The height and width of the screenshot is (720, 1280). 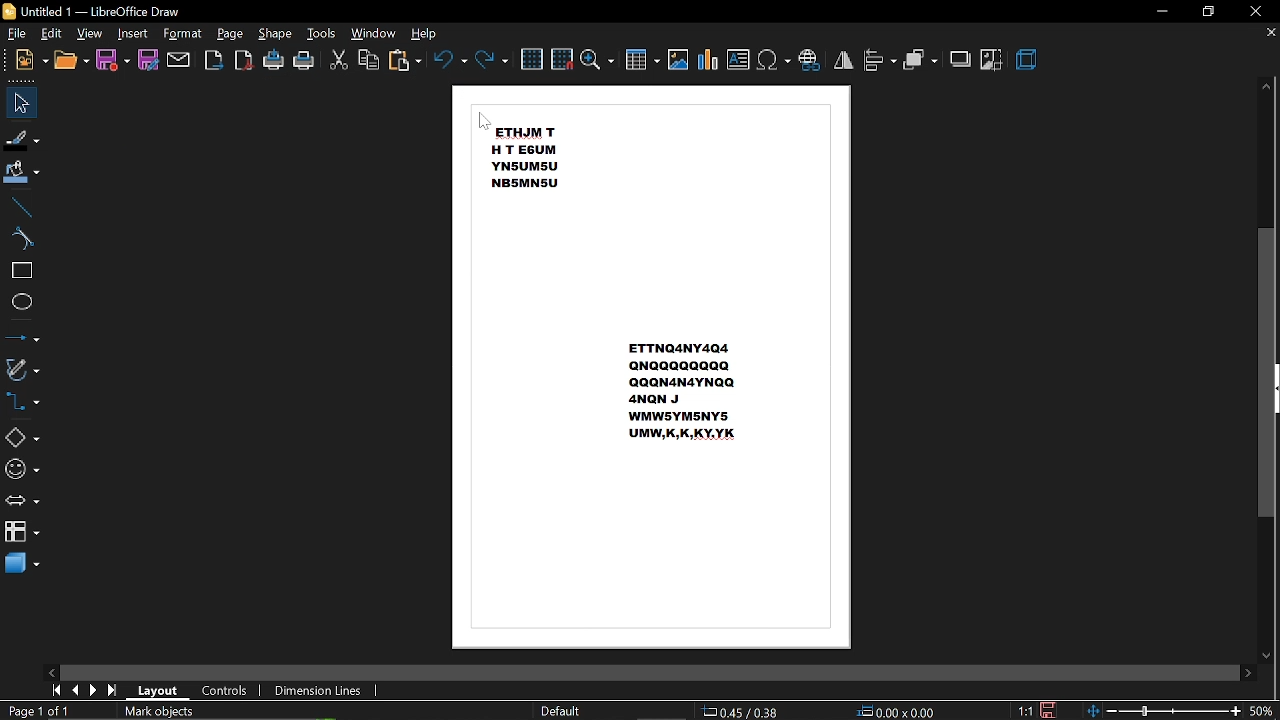 I want to click on new, so click(x=32, y=61).